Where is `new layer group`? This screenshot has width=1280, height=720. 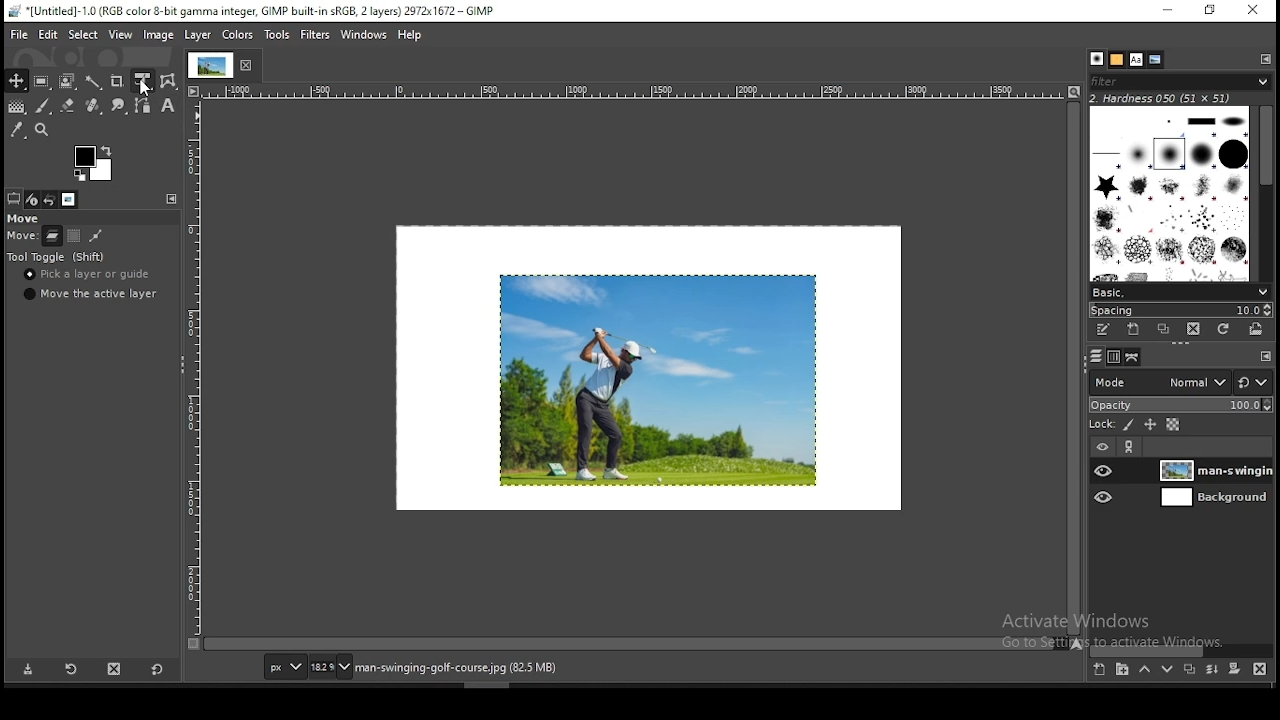
new layer group is located at coordinates (1119, 670).